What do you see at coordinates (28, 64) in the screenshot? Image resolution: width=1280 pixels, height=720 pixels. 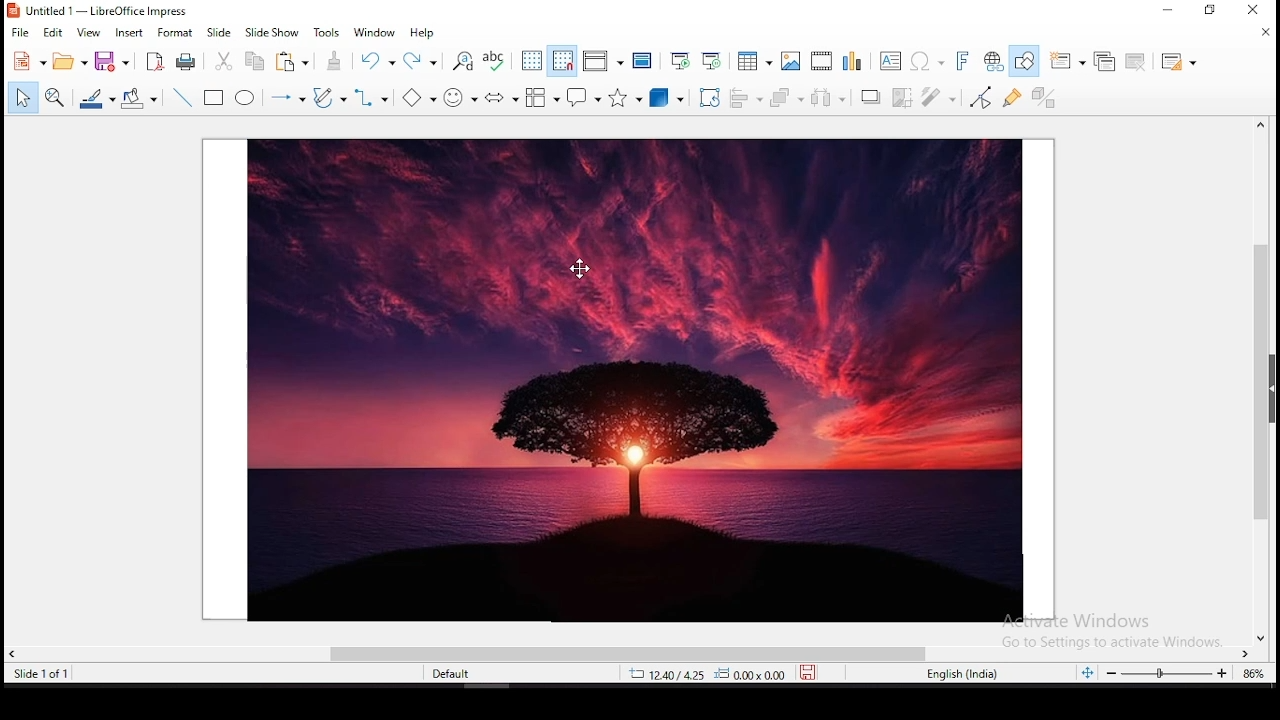 I see `new tool` at bounding box center [28, 64].